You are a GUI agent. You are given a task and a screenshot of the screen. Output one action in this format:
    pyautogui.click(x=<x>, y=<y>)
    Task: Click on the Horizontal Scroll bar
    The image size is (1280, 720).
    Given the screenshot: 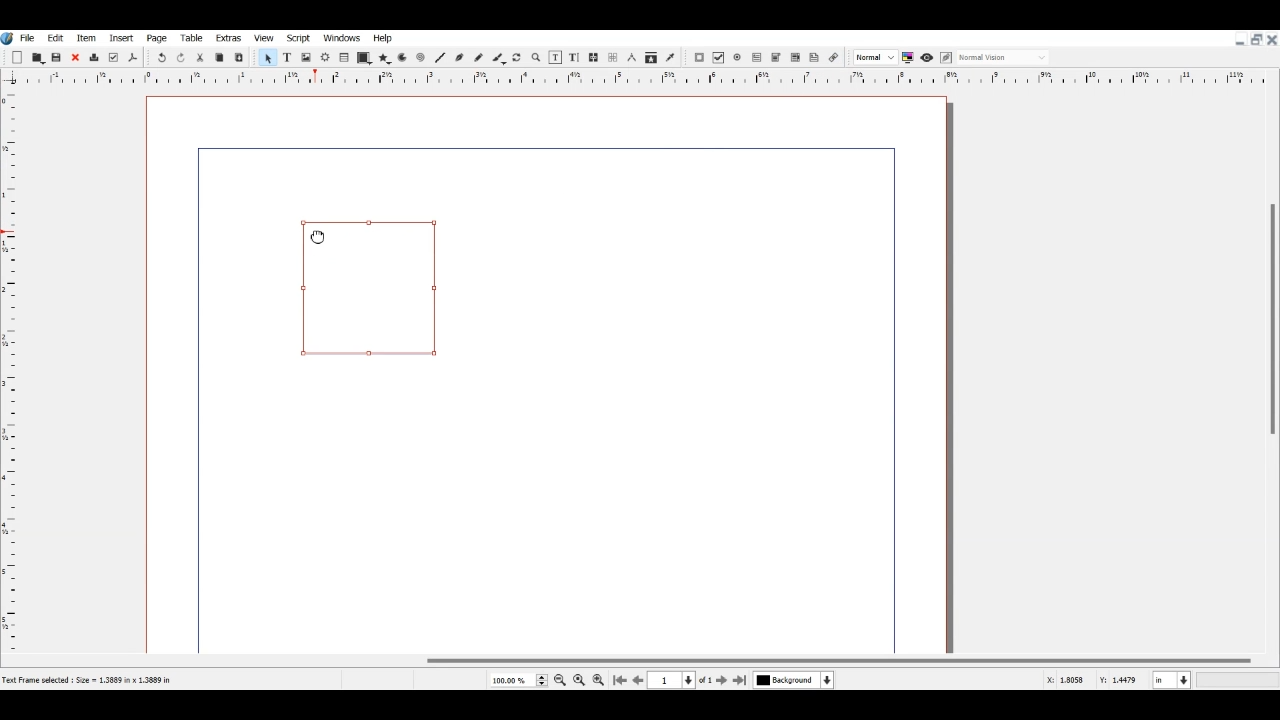 What is the action you would take?
    pyautogui.click(x=640, y=661)
    